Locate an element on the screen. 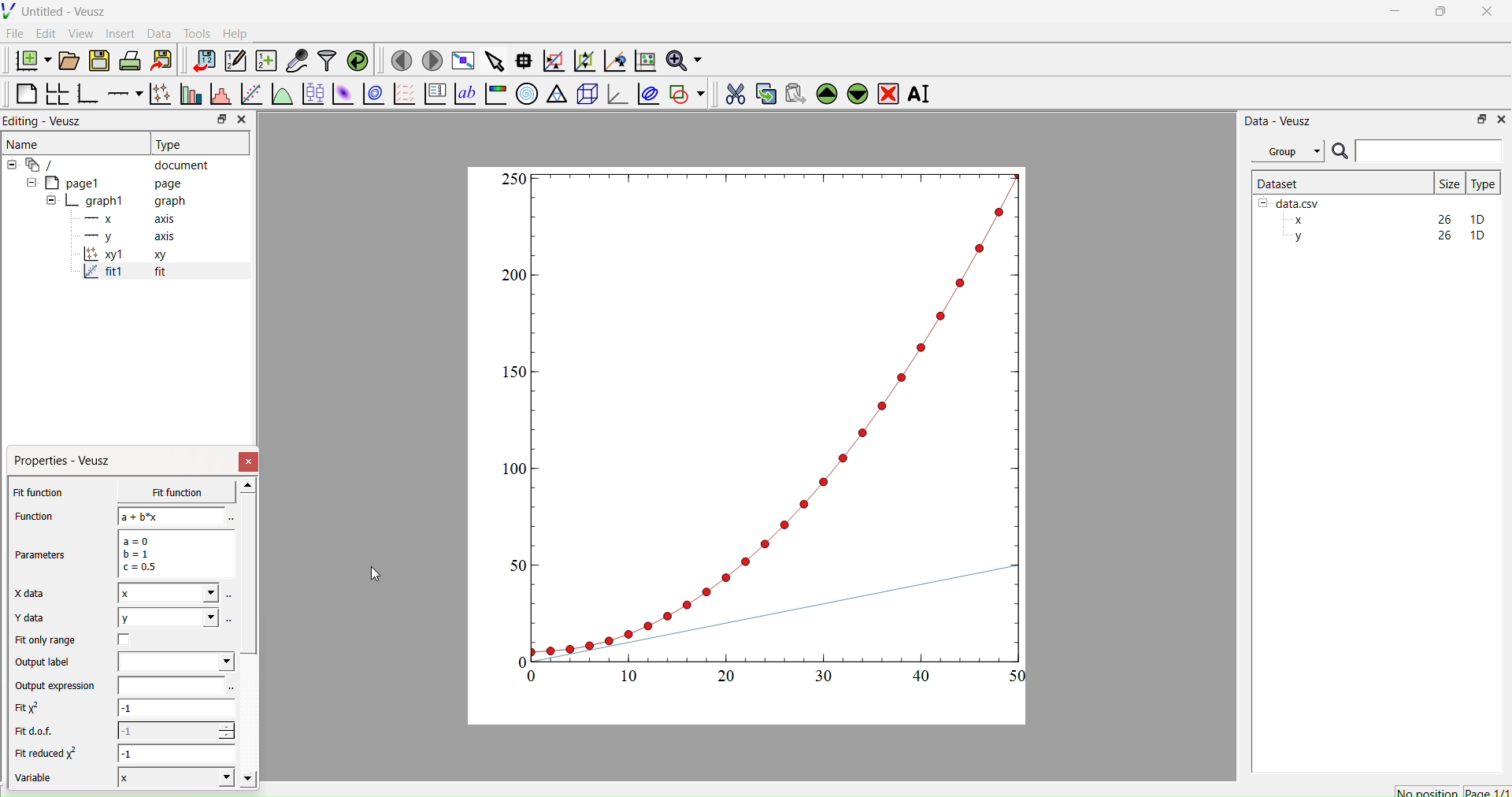 The height and width of the screenshot is (797, 1512). Type is located at coordinates (1483, 183).